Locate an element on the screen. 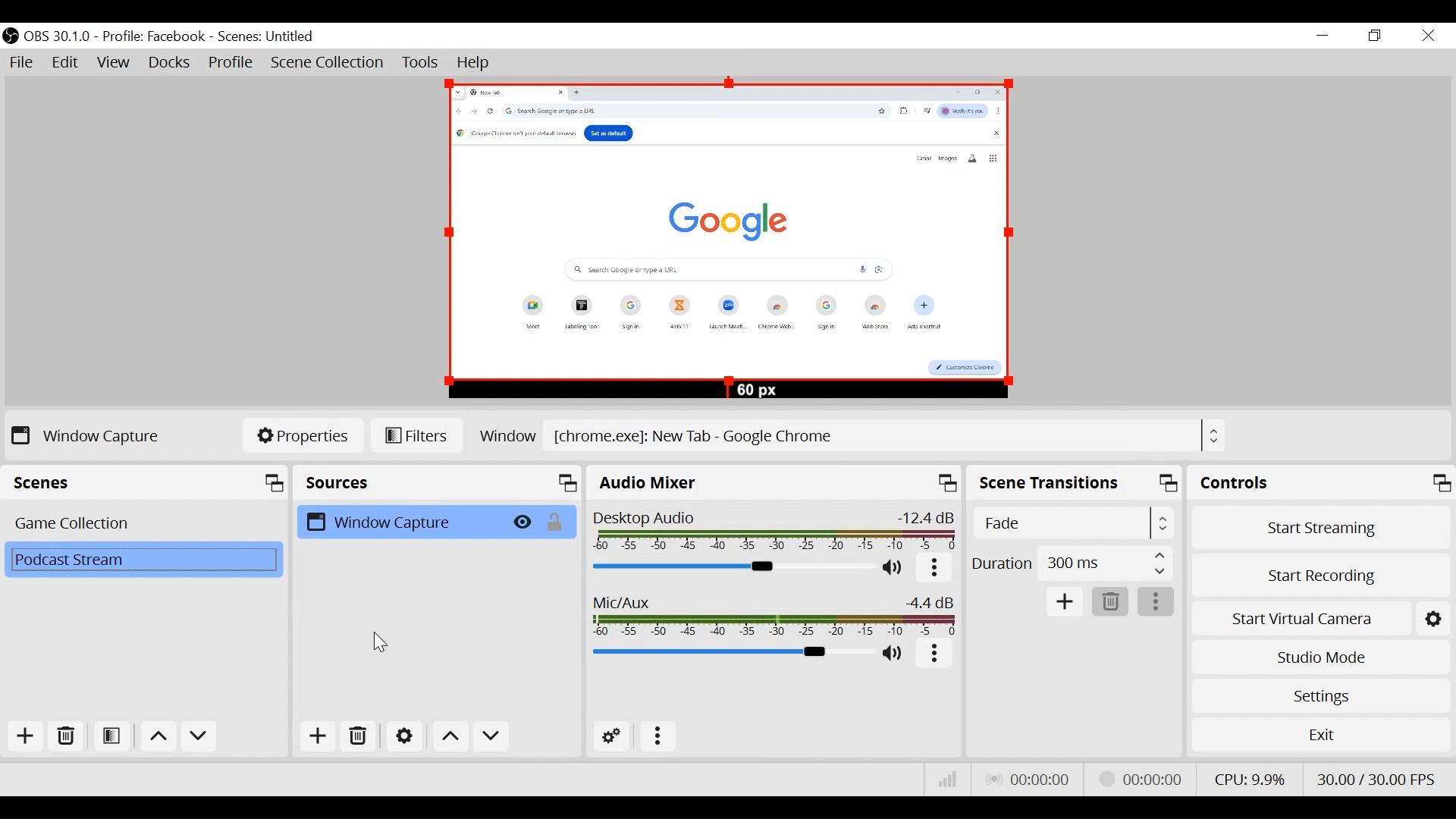  Mic/Aux is located at coordinates (774, 616).